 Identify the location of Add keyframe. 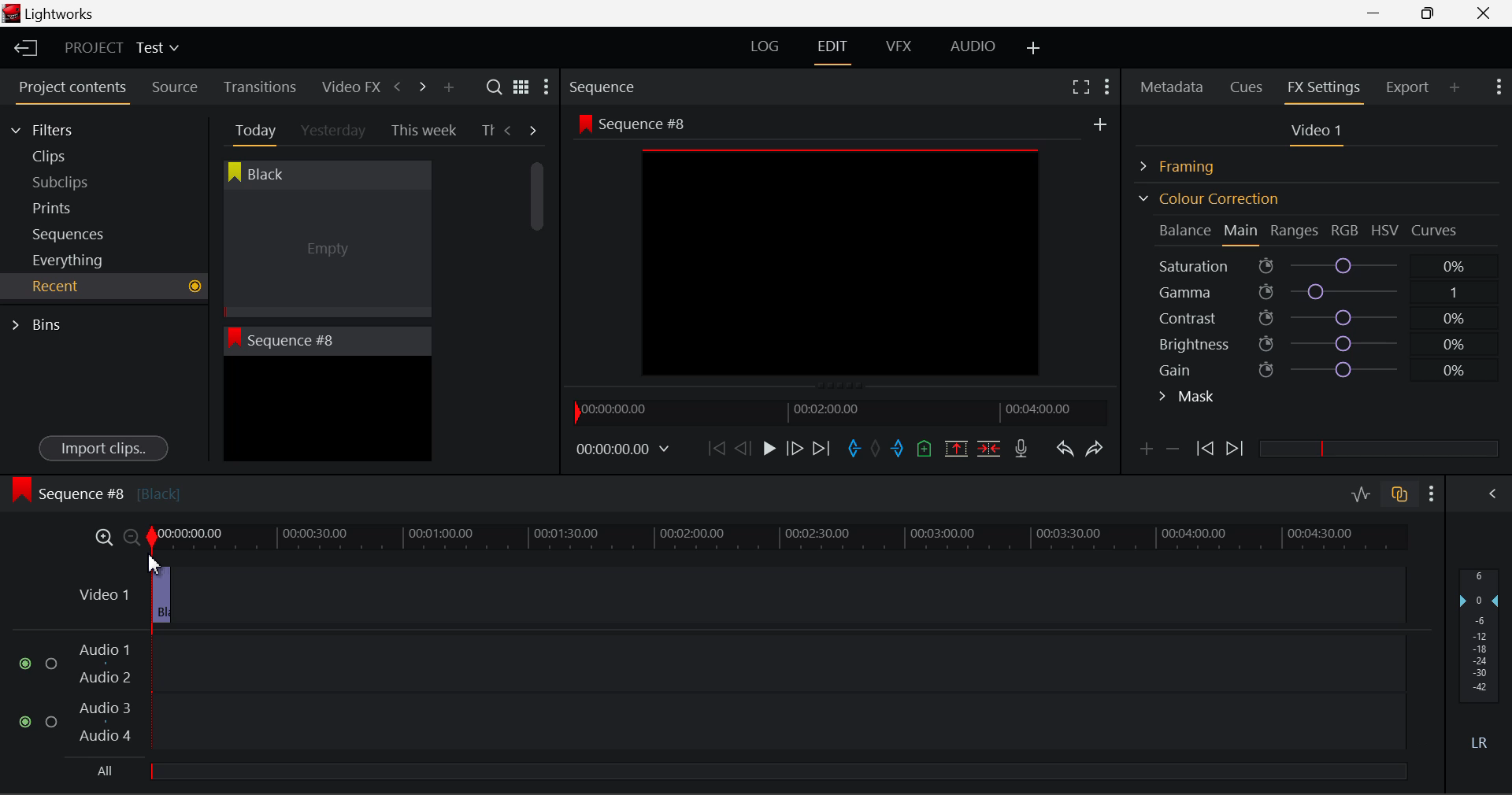
(1143, 452).